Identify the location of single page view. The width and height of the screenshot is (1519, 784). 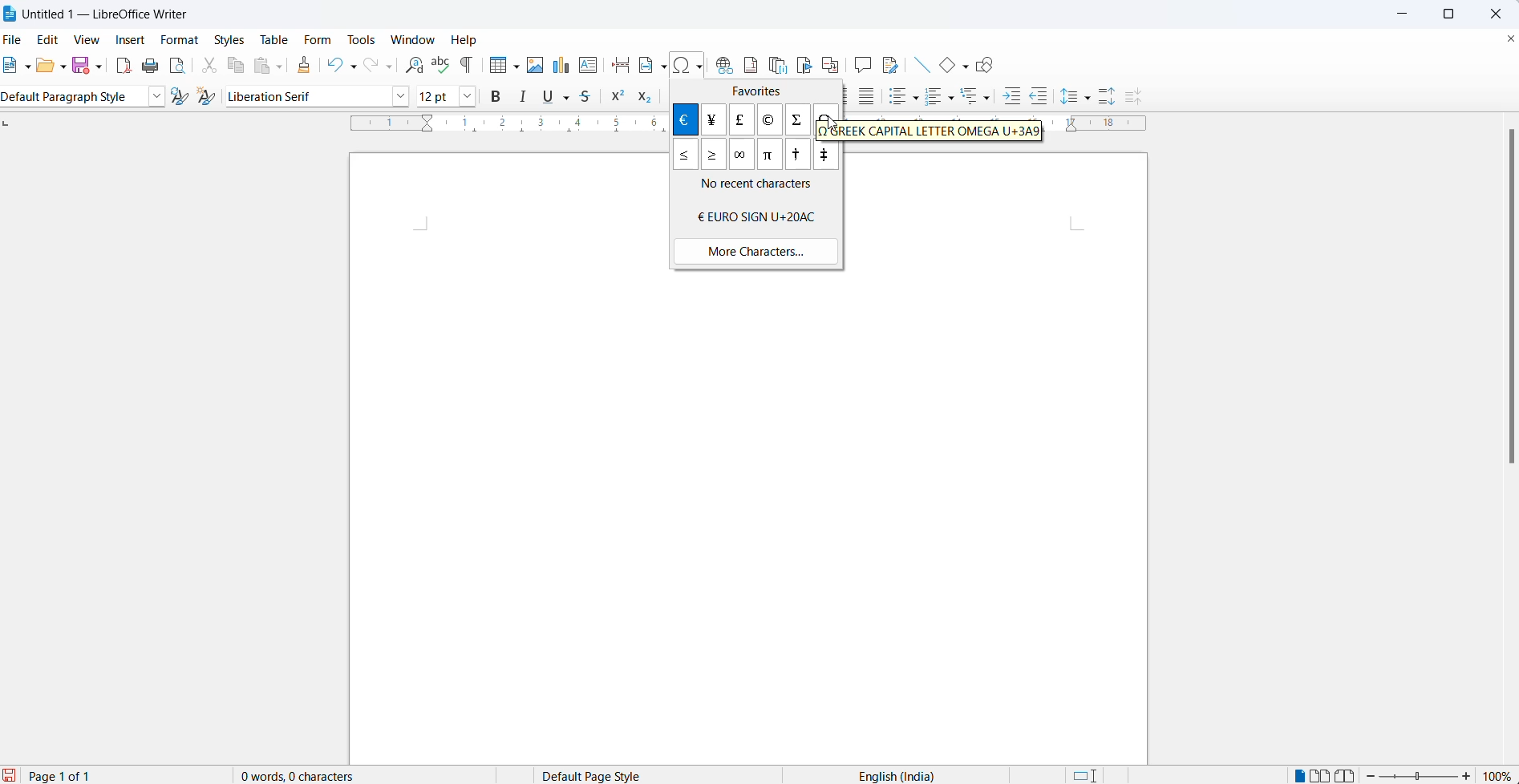
(1300, 774).